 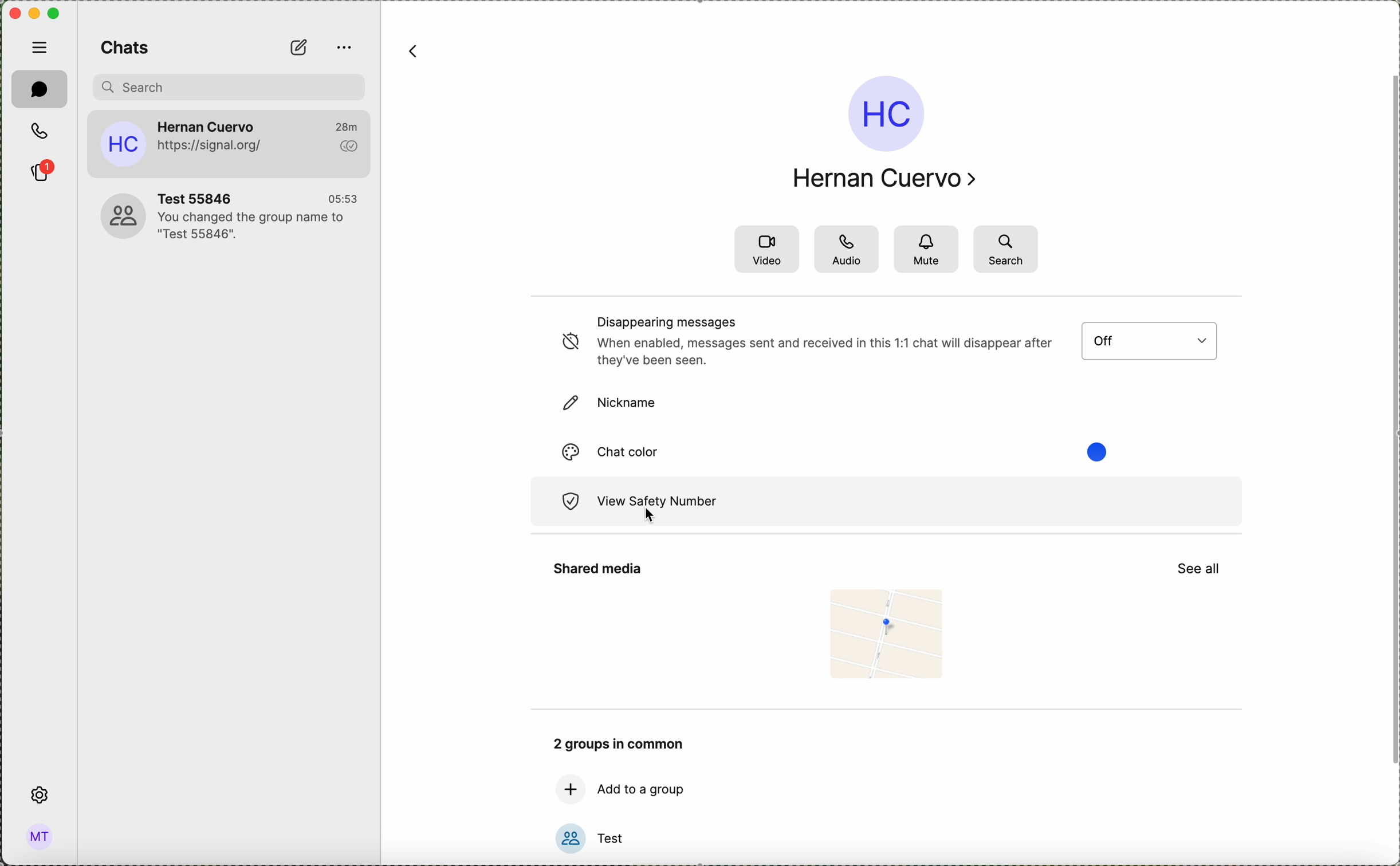 What do you see at coordinates (887, 178) in the screenshot?
I see `Hernan Cuervo >` at bounding box center [887, 178].